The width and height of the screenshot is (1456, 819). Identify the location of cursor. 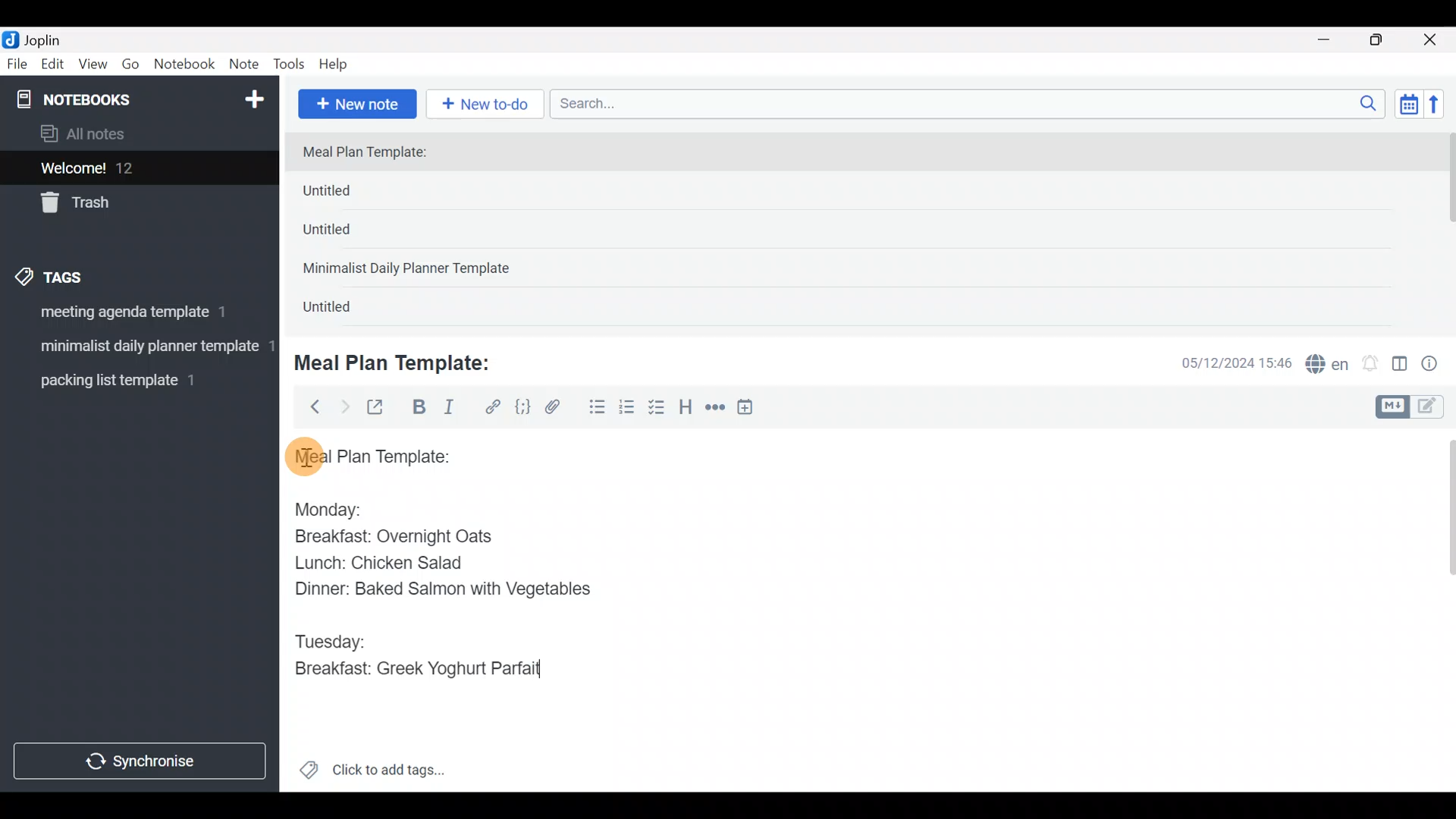
(303, 456).